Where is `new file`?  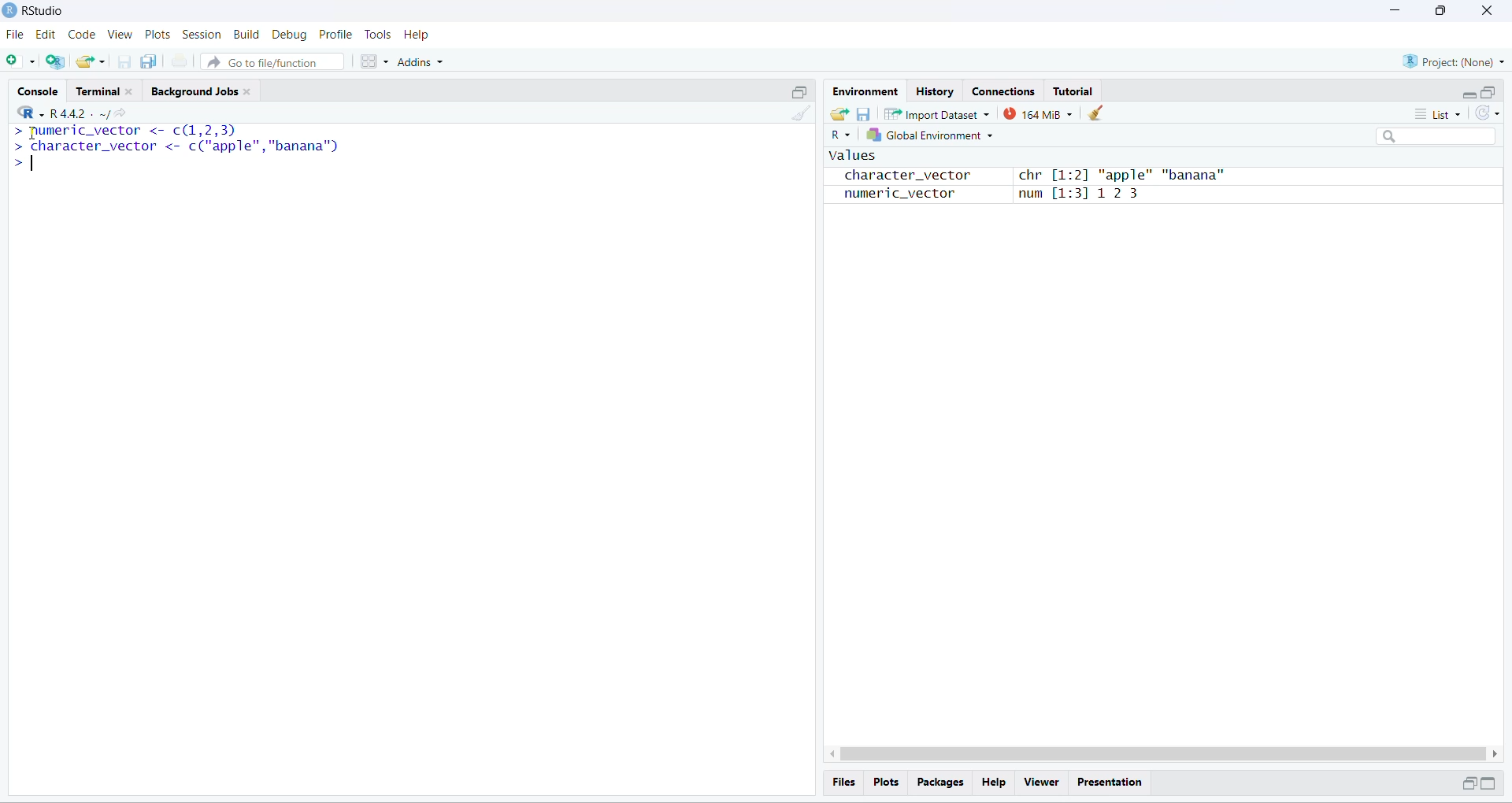 new file is located at coordinates (17, 59).